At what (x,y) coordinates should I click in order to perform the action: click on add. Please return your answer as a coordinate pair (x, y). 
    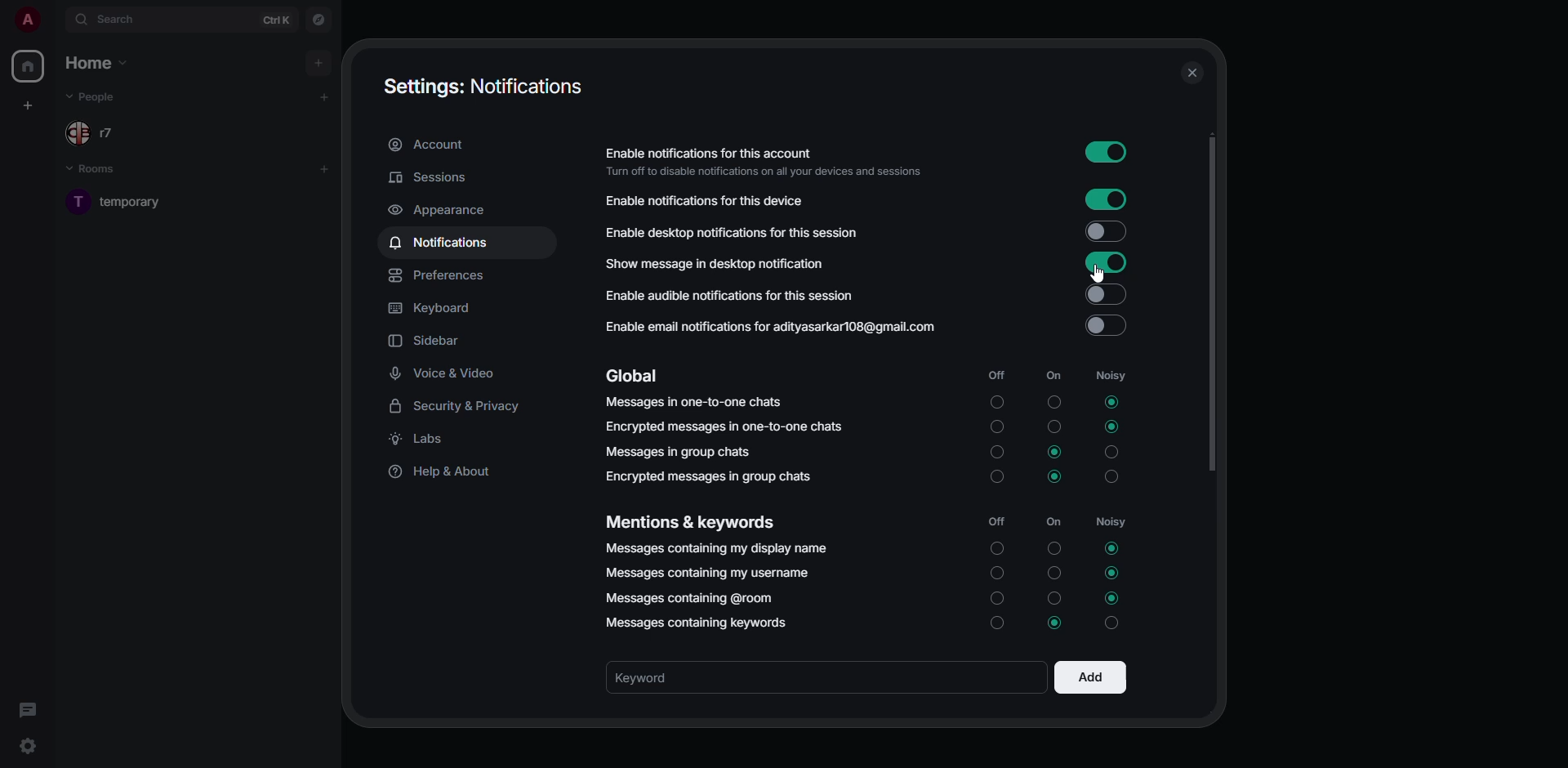
    Looking at the image, I should click on (1088, 677).